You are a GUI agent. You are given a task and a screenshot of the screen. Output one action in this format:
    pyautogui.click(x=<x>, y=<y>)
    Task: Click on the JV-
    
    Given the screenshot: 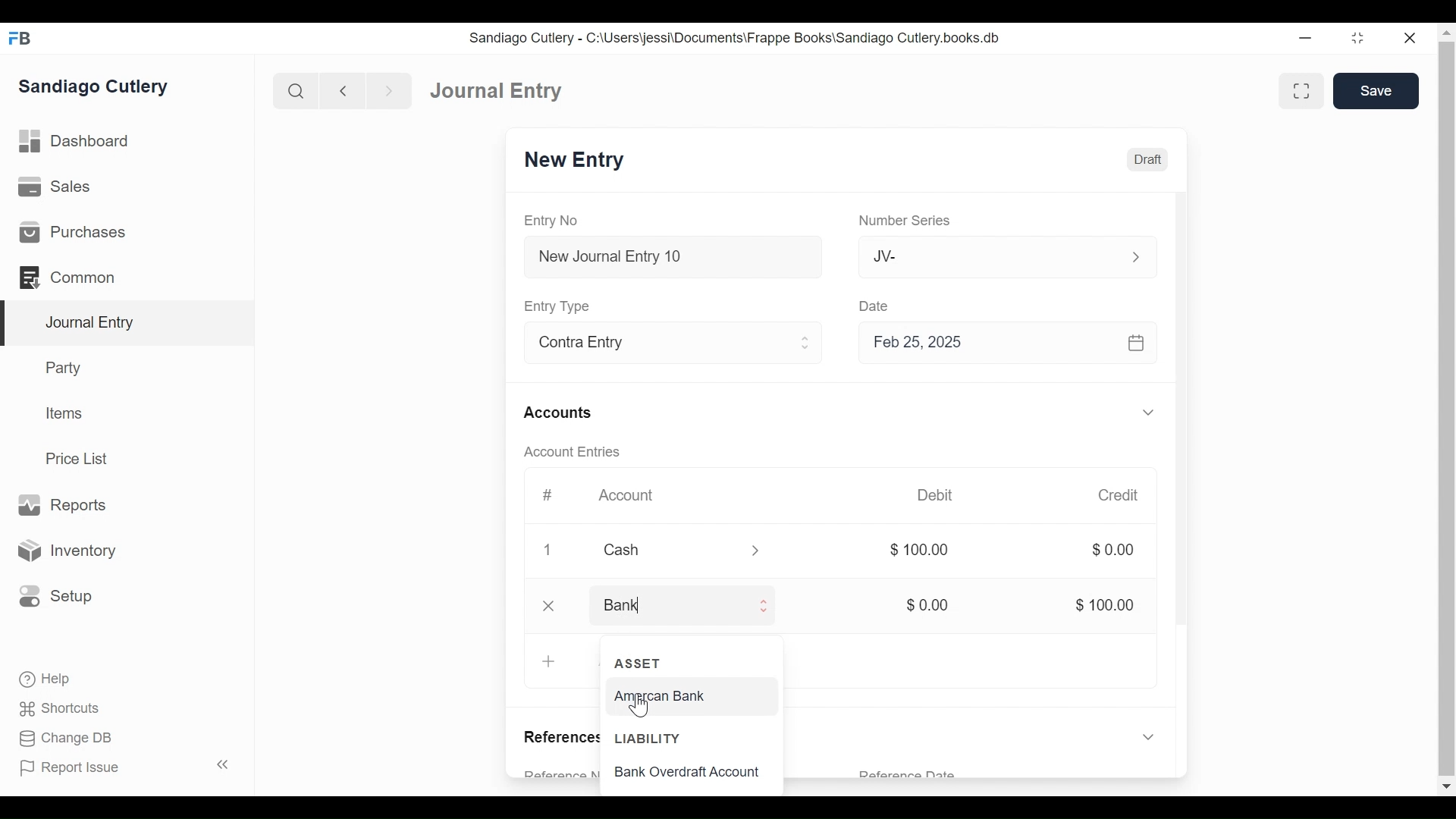 What is the action you would take?
    pyautogui.click(x=985, y=255)
    